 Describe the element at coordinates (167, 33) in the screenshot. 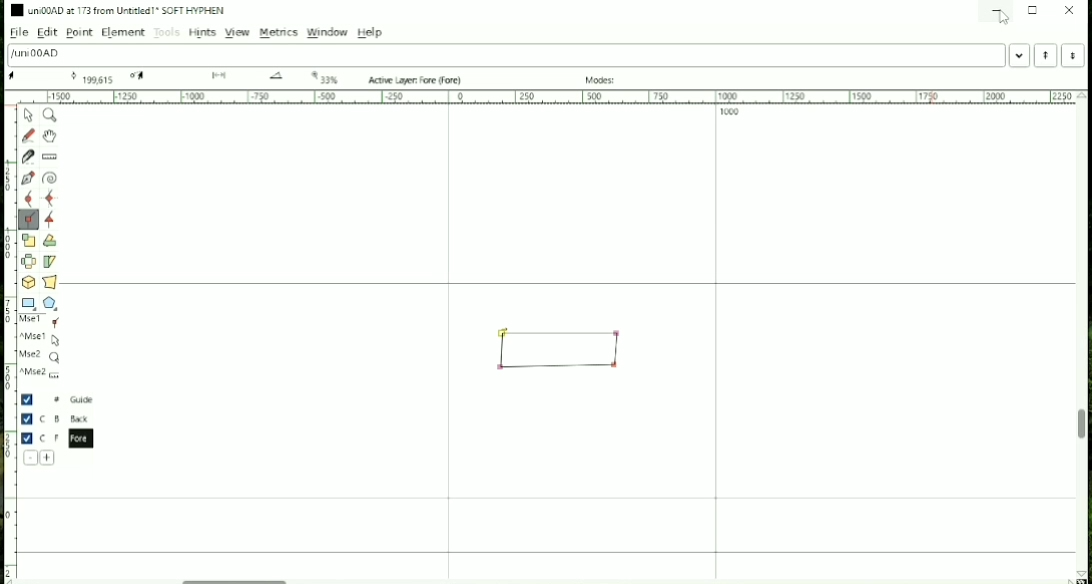

I see `Tools` at that location.